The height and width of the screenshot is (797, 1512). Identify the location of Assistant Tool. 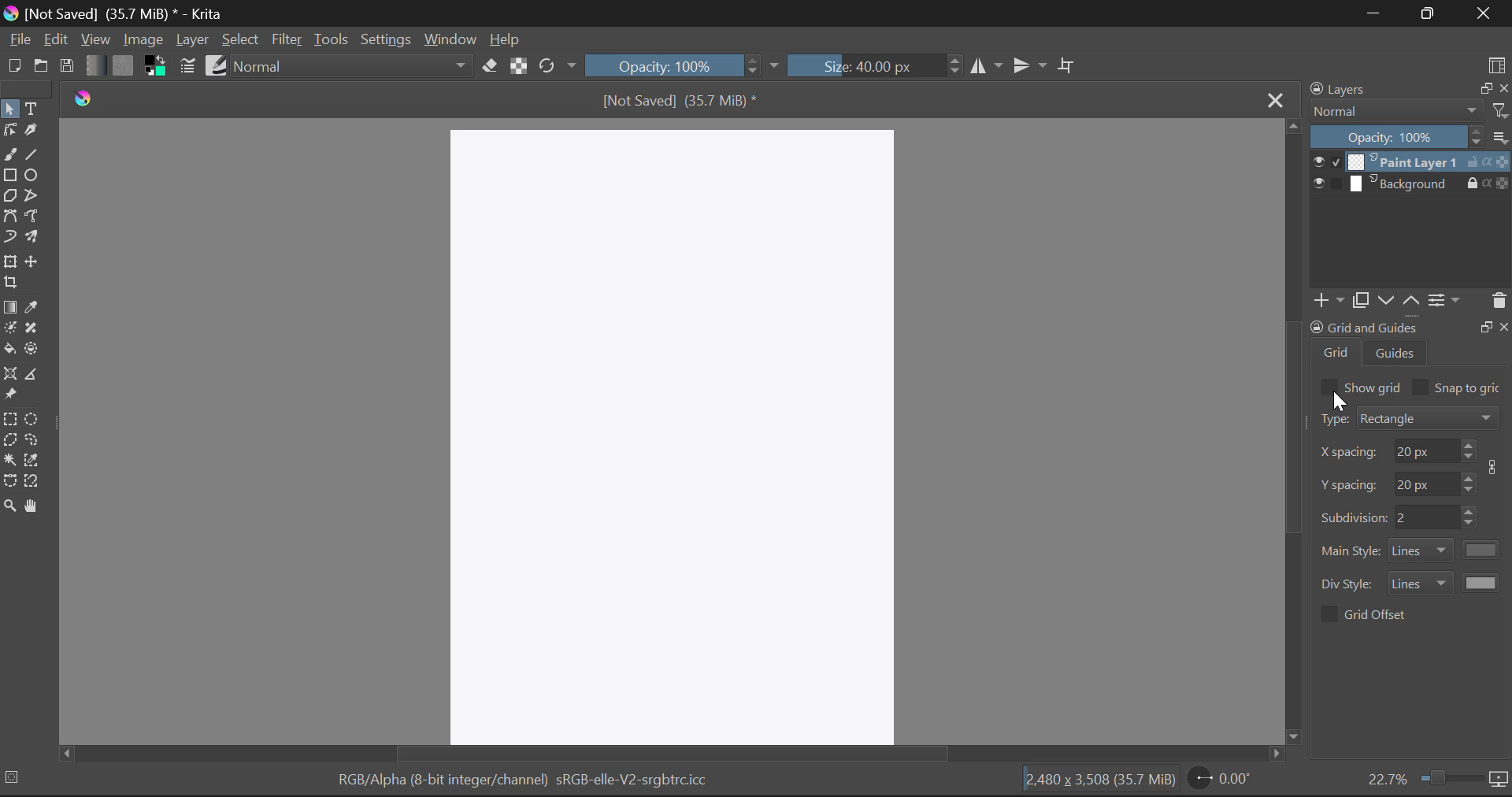
(11, 375).